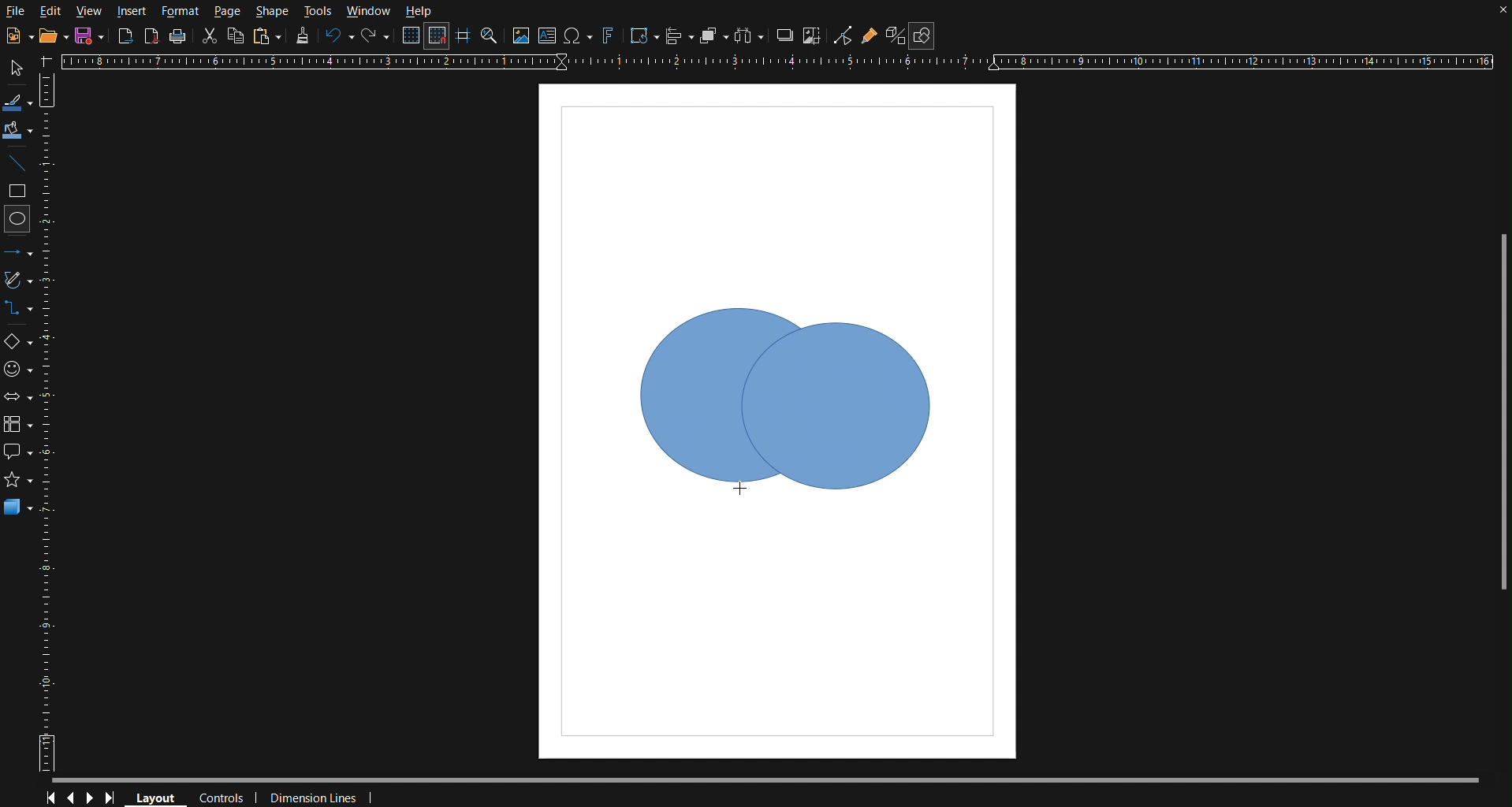 This screenshot has height=807, width=1512. Describe the element at coordinates (17, 13) in the screenshot. I see `File` at that location.